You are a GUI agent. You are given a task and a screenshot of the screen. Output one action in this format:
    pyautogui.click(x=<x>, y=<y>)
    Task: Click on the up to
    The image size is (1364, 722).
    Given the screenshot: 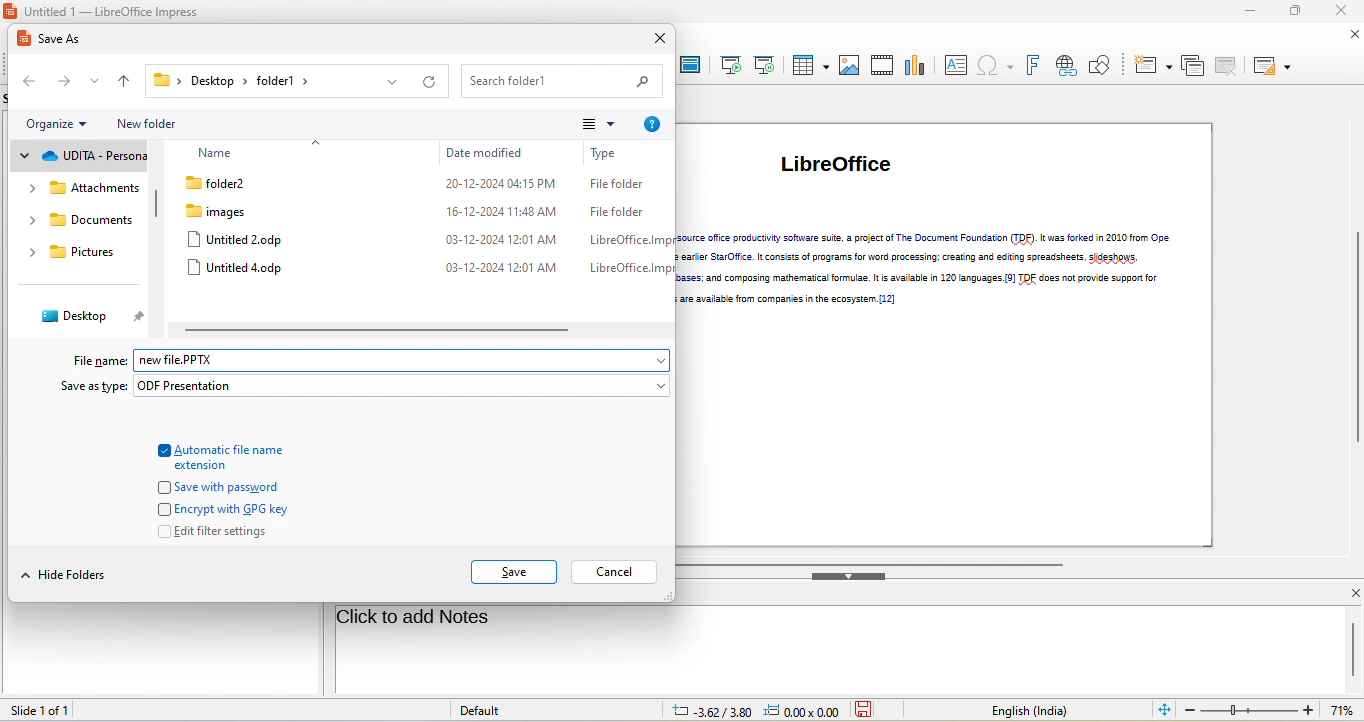 What is the action you would take?
    pyautogui.click(x=124, y=83)
    